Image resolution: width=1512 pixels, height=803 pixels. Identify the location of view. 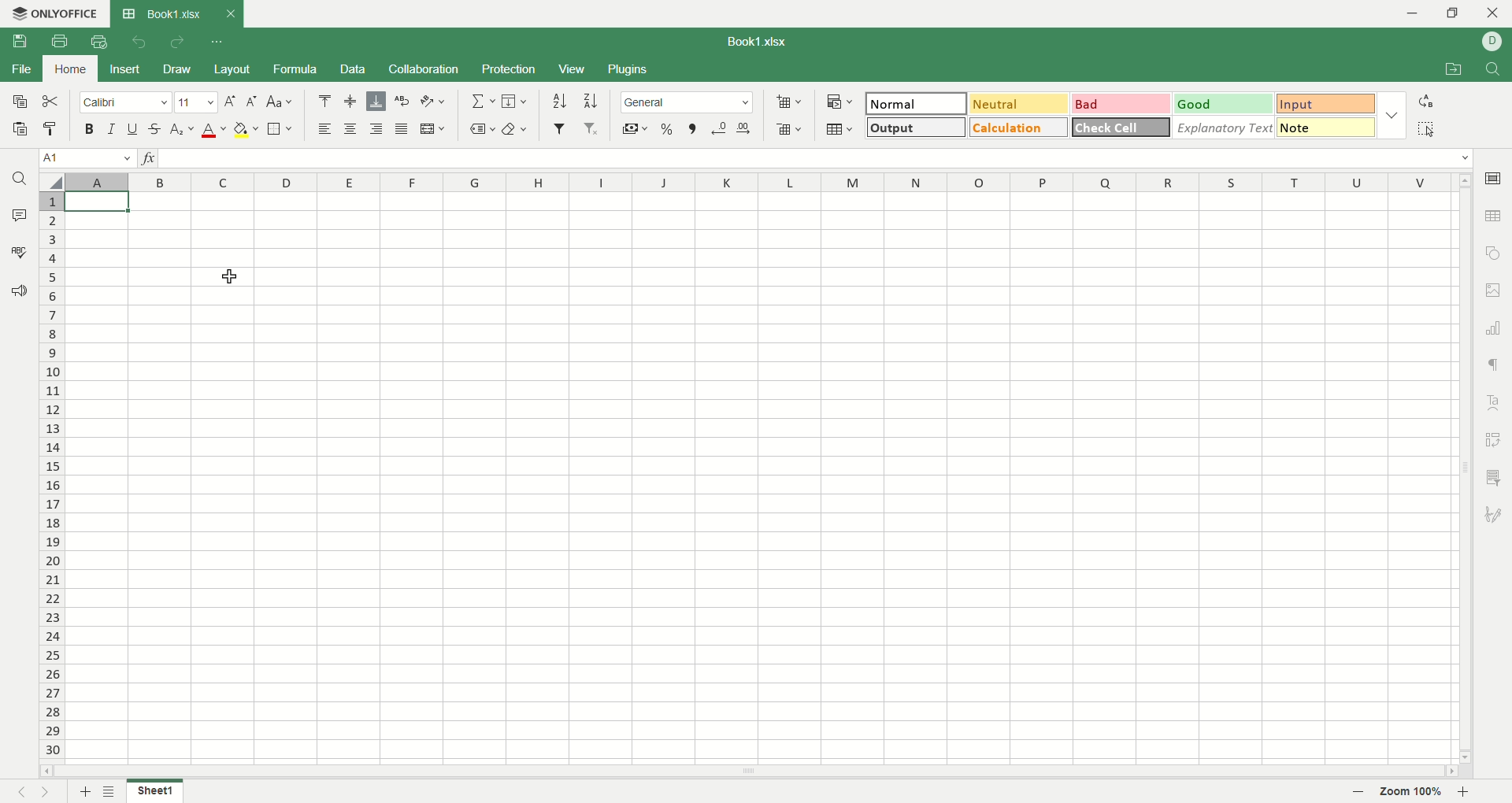
(571, 68).